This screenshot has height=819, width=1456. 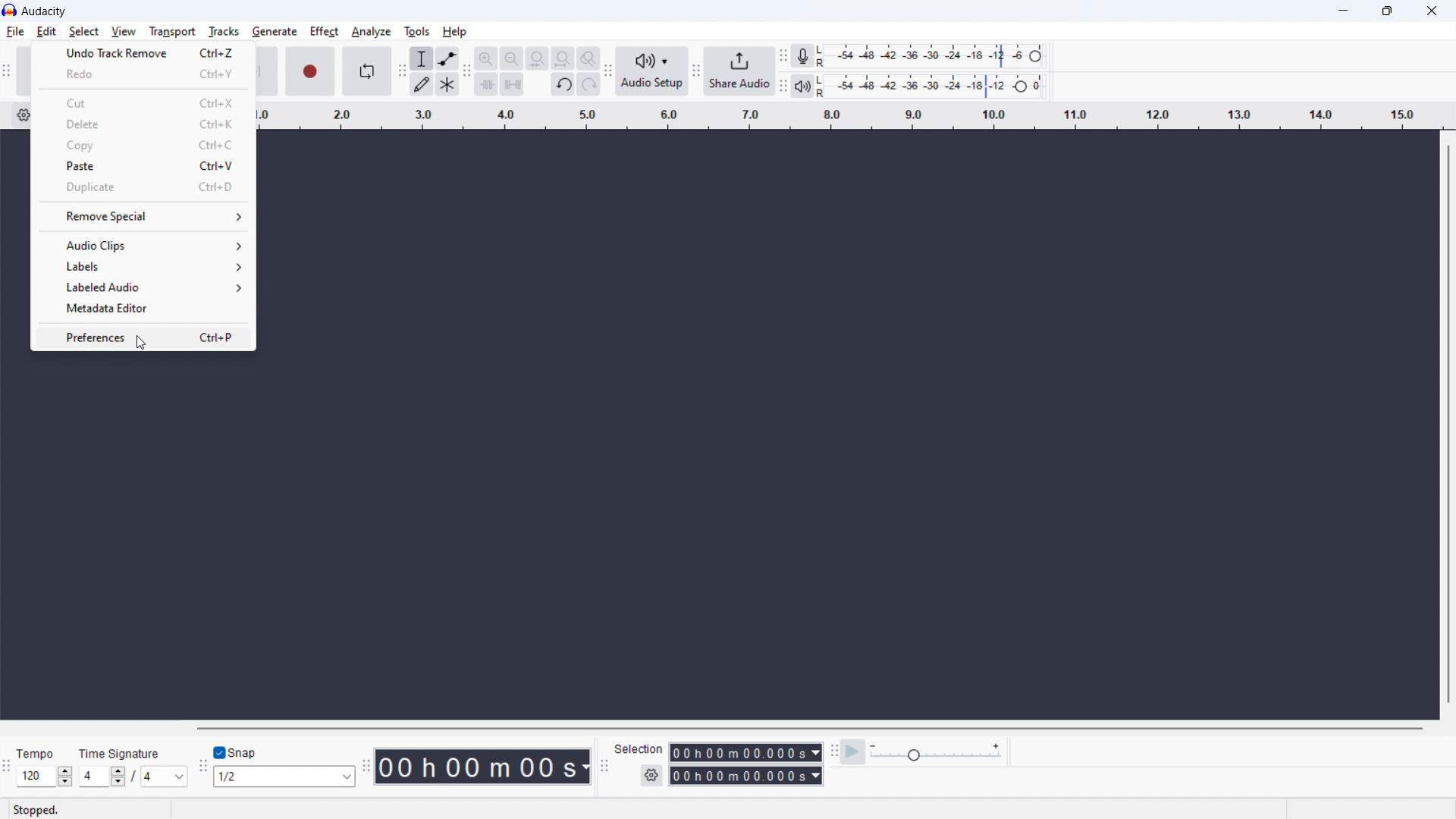 I want to click on enable loop, so click(x=368, y=71).